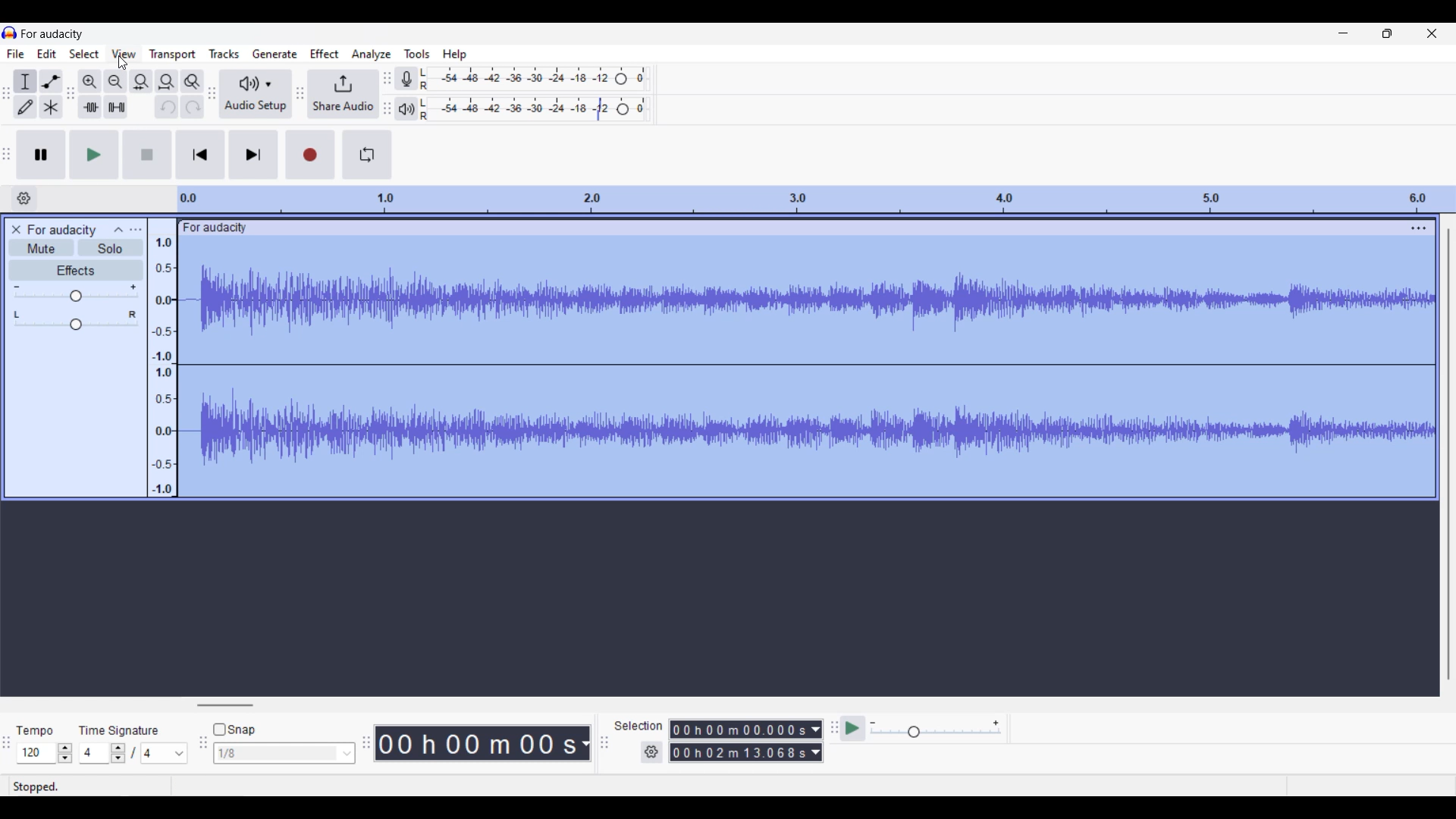 The height and width of the screenshot is (819, 1456). What do you see at coordinates (585, 743) in the screenshot?
I see `Duration measurement` at bounding box center [585, 743].